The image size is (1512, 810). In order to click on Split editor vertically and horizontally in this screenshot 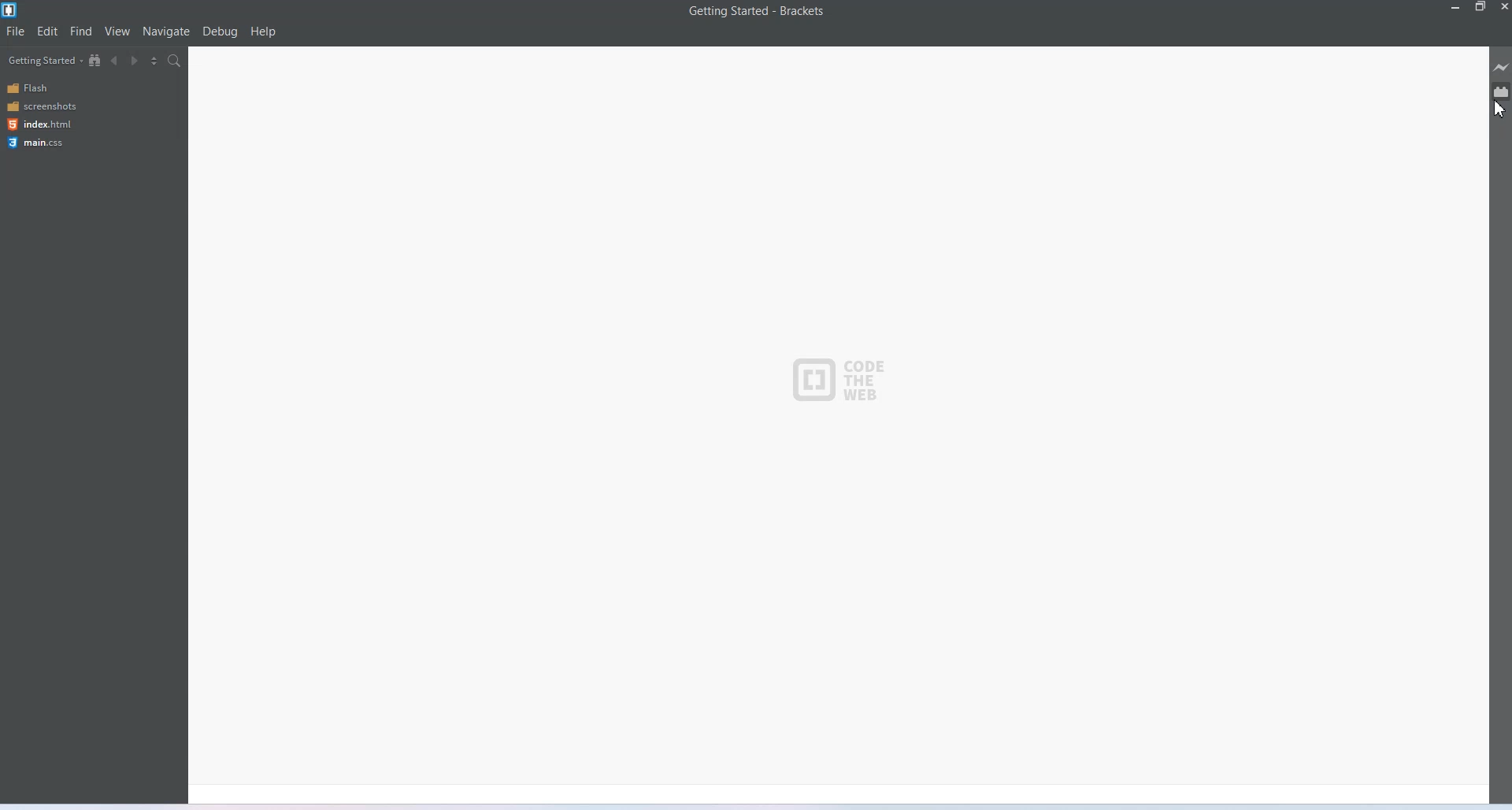, I will do `click(155, 61)`.